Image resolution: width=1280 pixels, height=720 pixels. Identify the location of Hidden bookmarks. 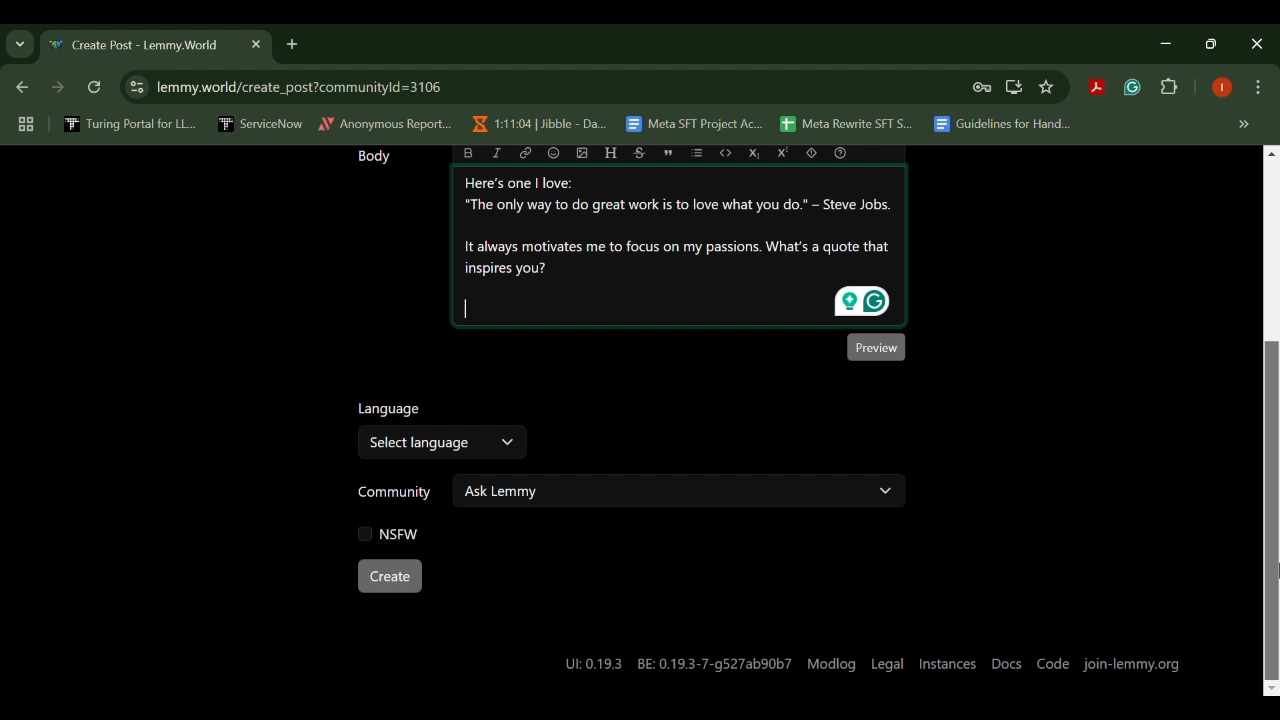
(1246, 125).